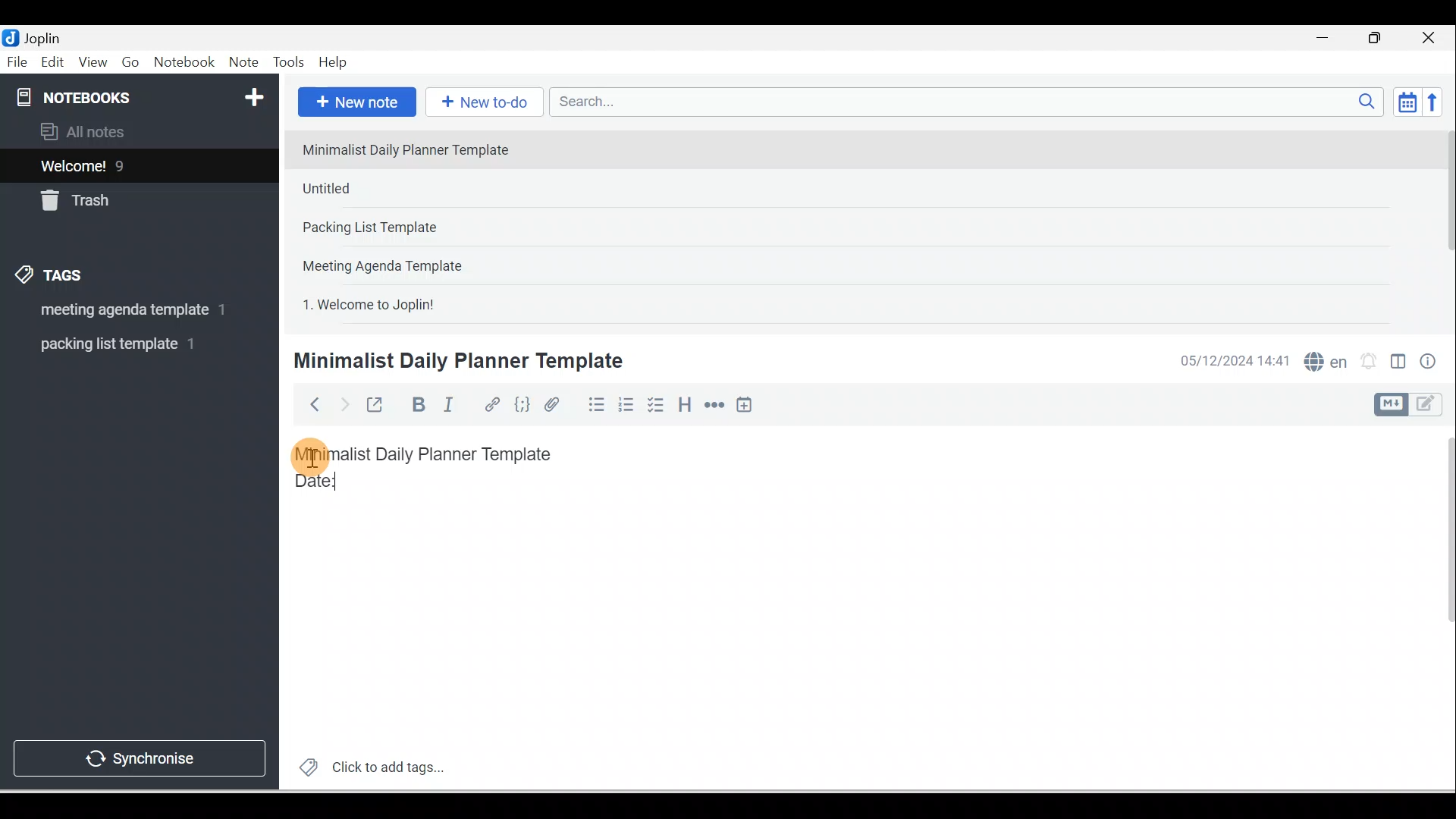 The image size is (1456, 819). I want to click on Tags, so click(54, 278).